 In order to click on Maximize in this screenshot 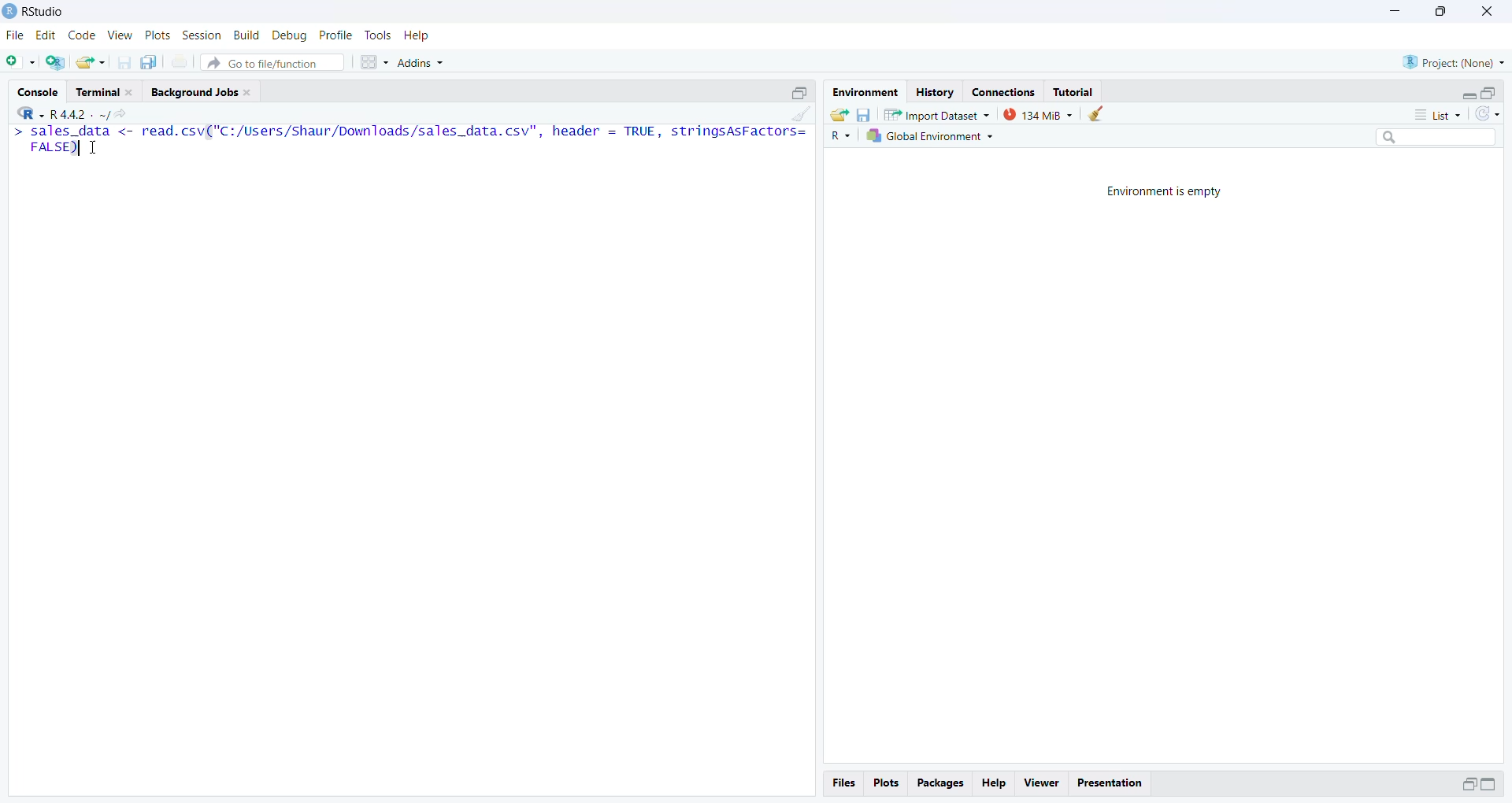, I will do `click(1442, 12)`.